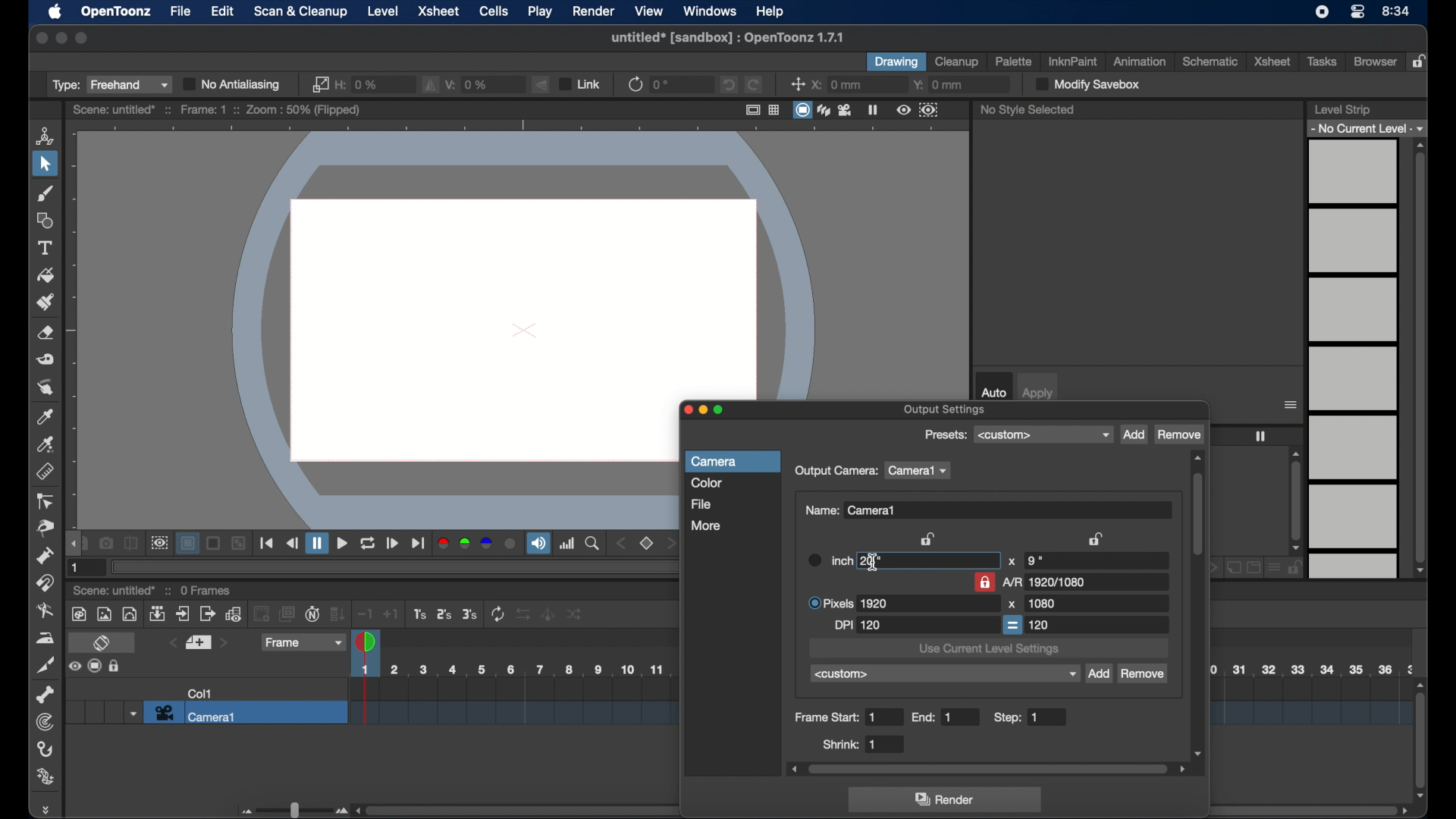 The width and height of the screenshot is (1456, 819). What do you see at coordinates (246, 713) in the screenshot?
I see `camera 1` at bounding box center [246, 713].